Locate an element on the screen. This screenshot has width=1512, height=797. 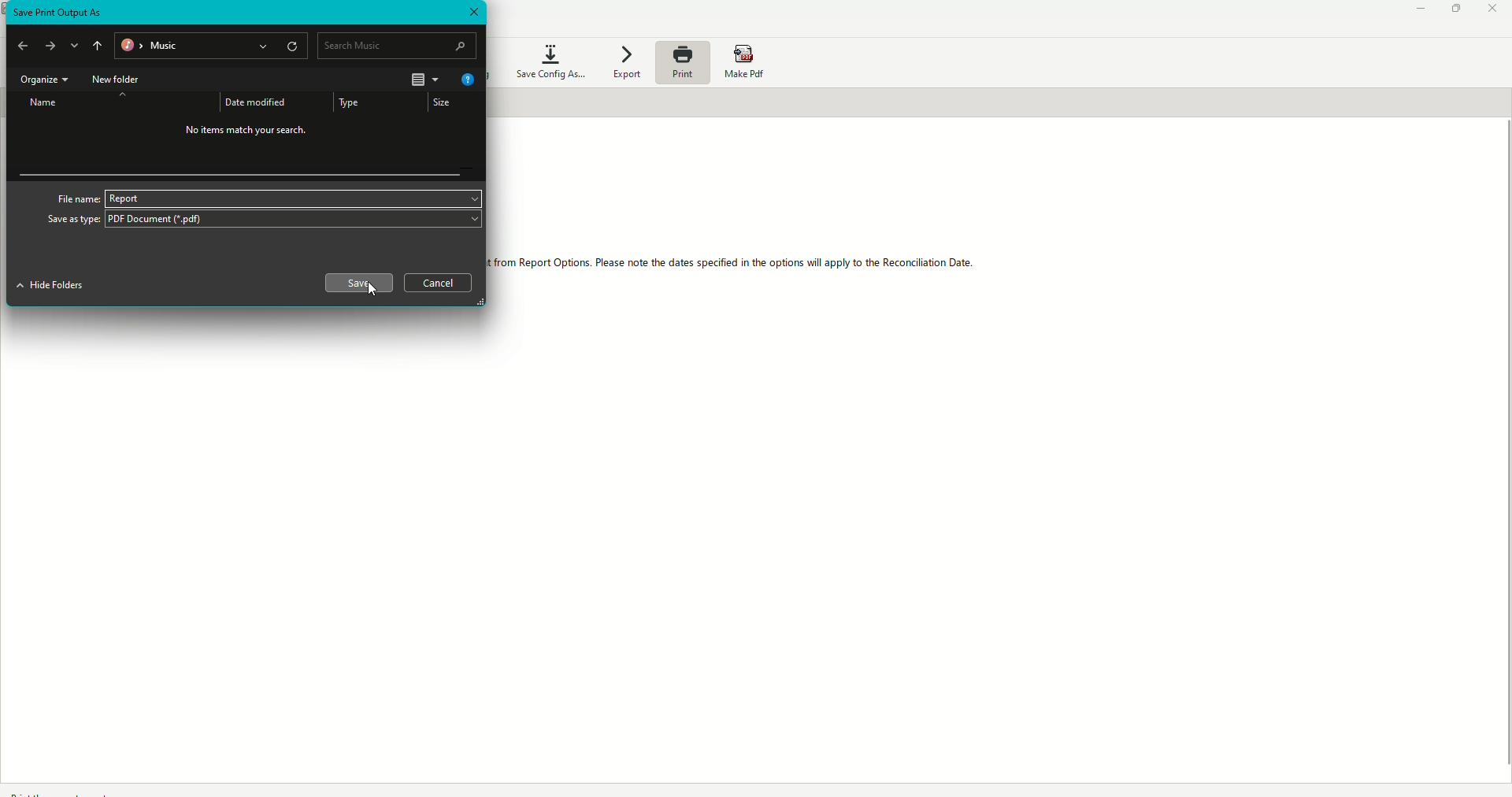
Save Config As is located at coordinates (547, 60).